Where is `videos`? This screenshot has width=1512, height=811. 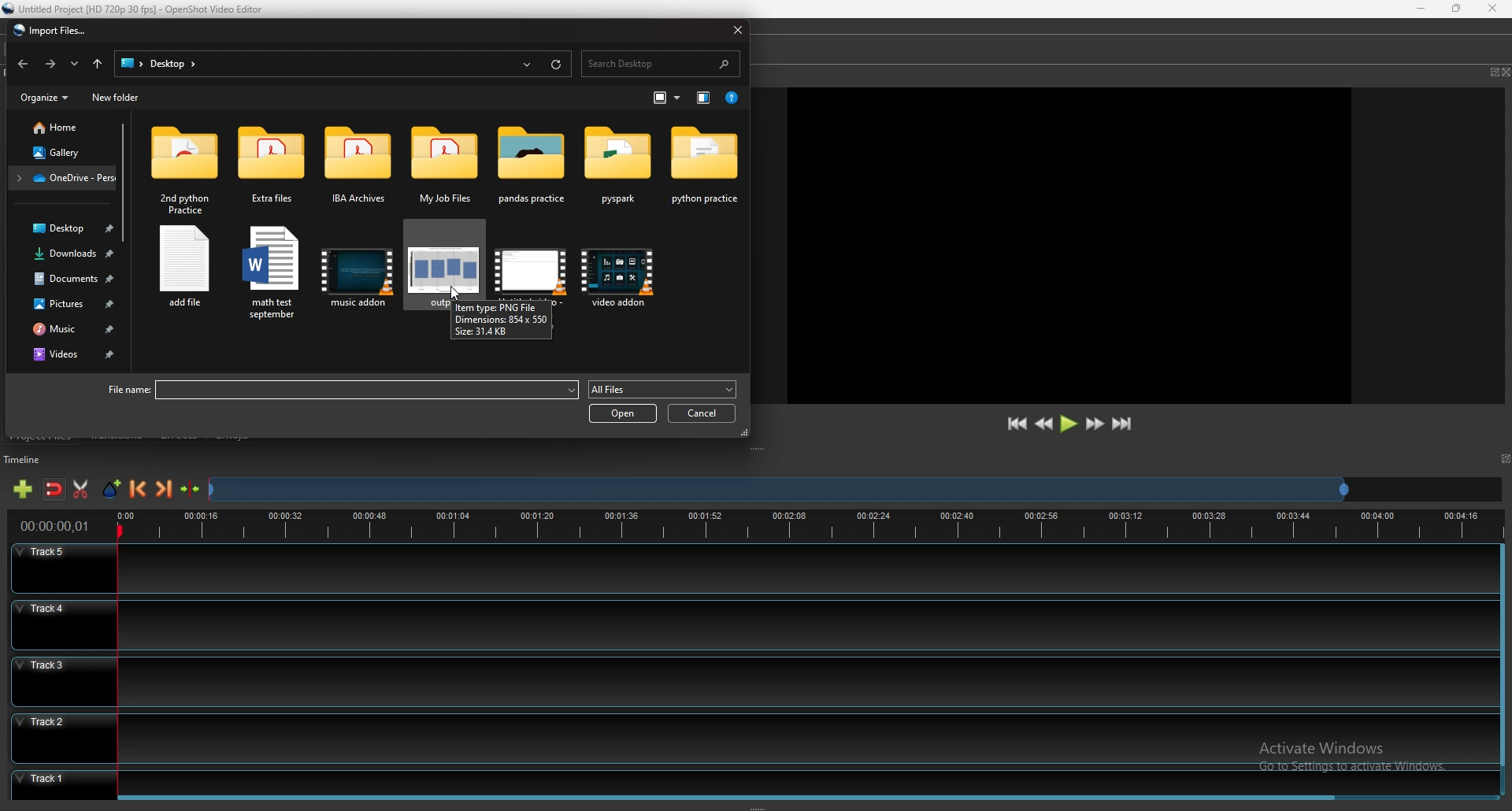 videos is located at coordinates (69, 355).